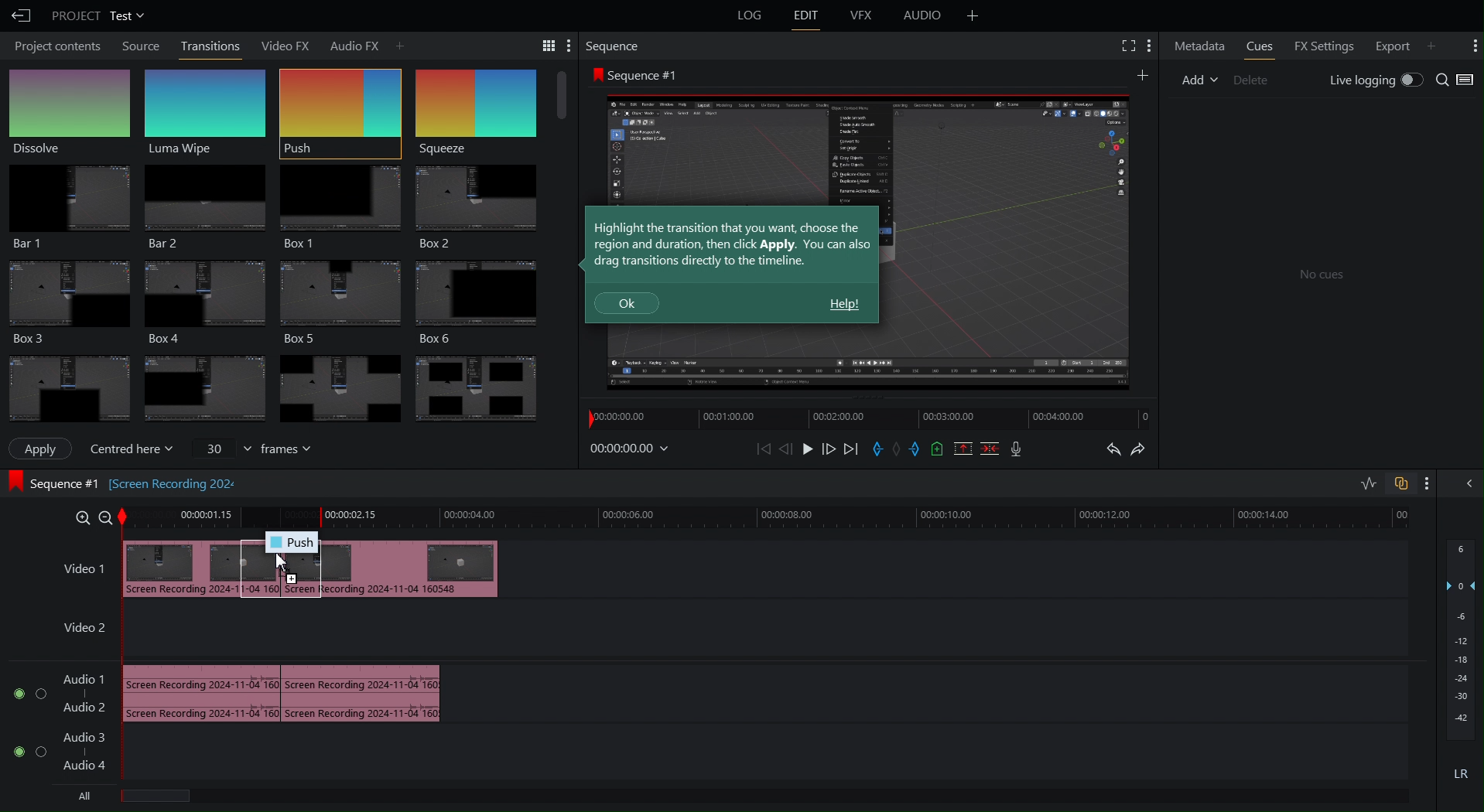 This screenshot has height=812, width=1484. What do you see at coordinates (850, 450) in the screenshot?
I see `Skip Forward` at bounding box center [850, 450].